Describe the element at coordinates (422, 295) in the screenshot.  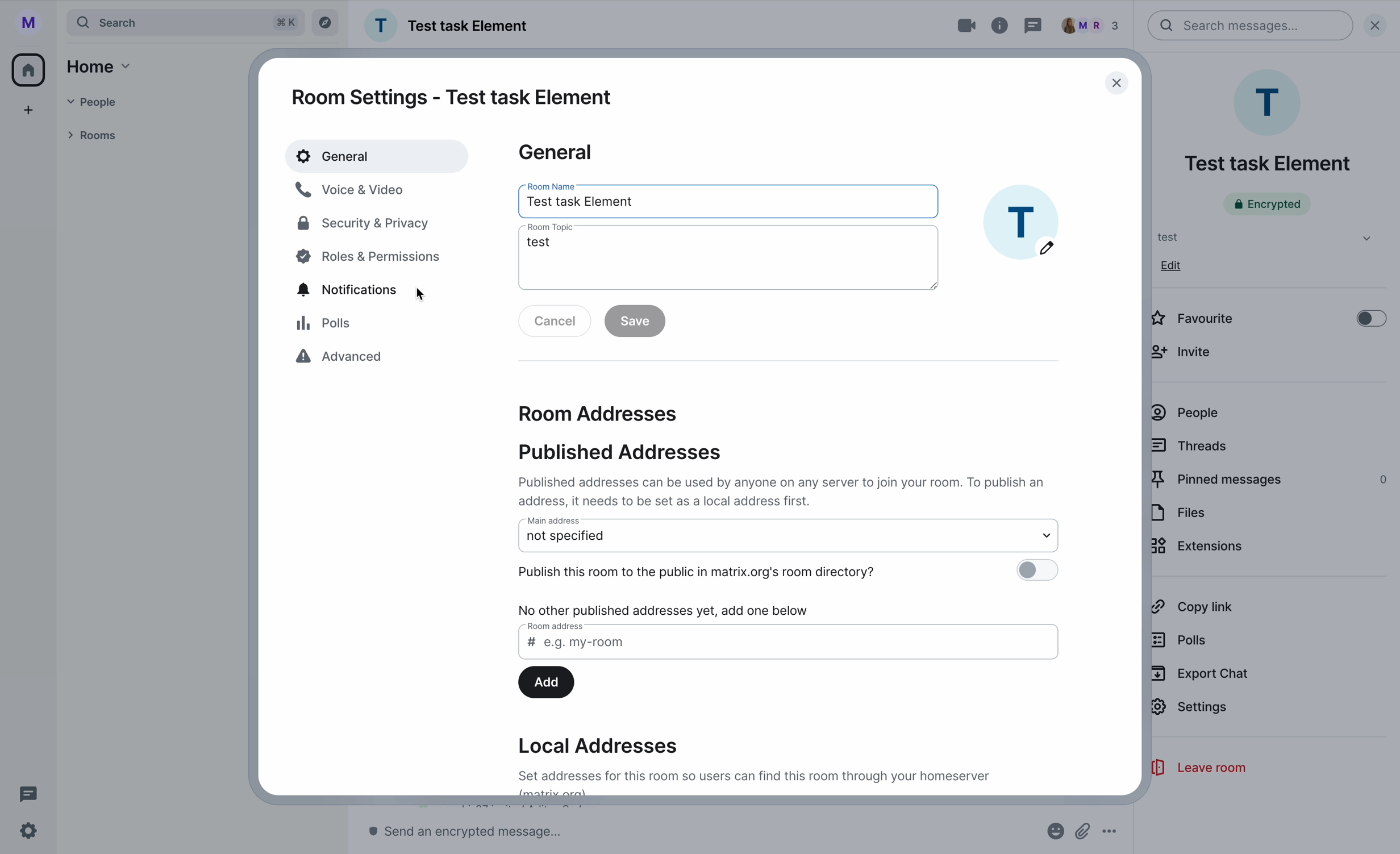
I see `cursor` at that location.